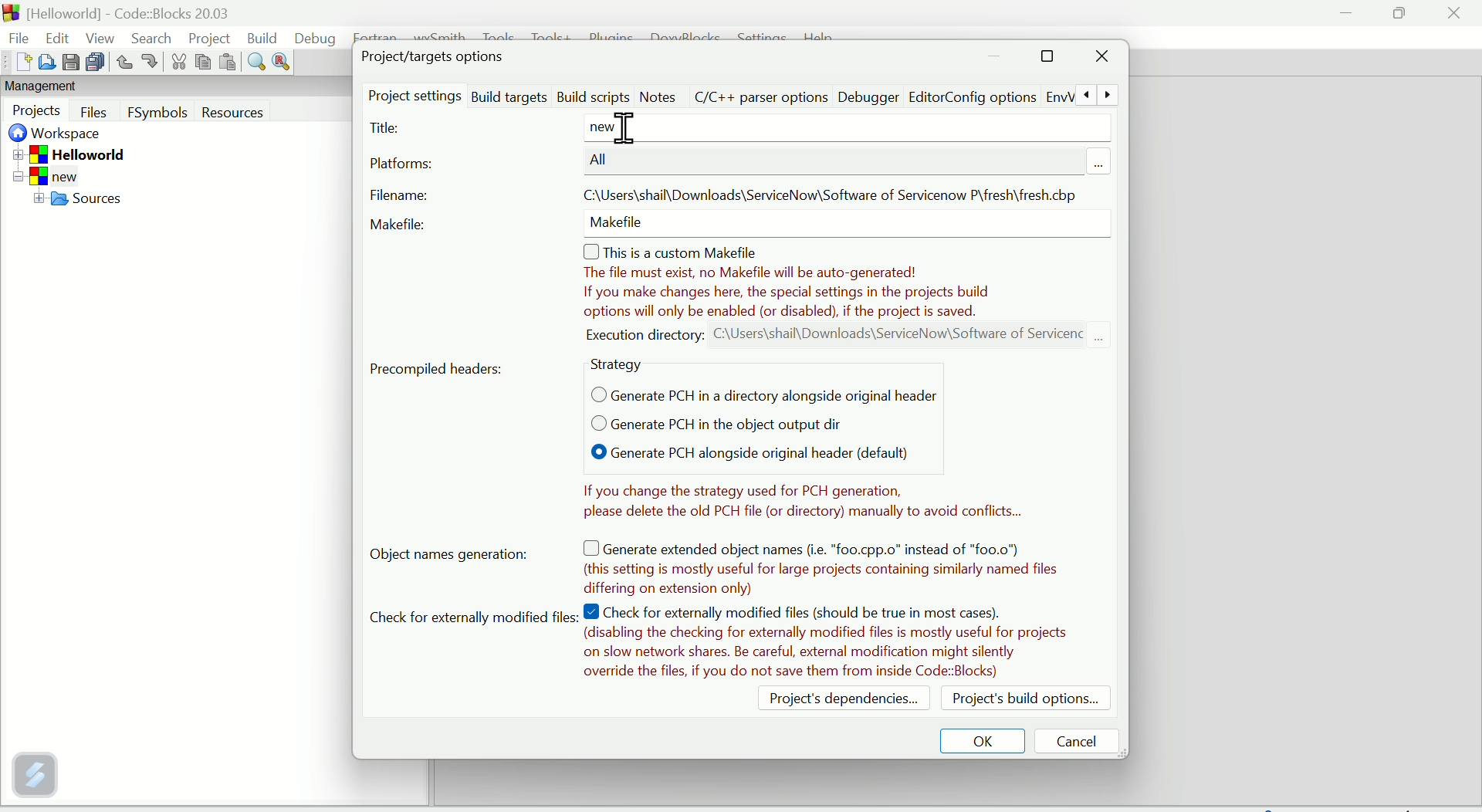 This screenshot has width=1482, height=812. Describe the element at coordinates (658, 97) in the screenshot. I see `Notes` at that location.